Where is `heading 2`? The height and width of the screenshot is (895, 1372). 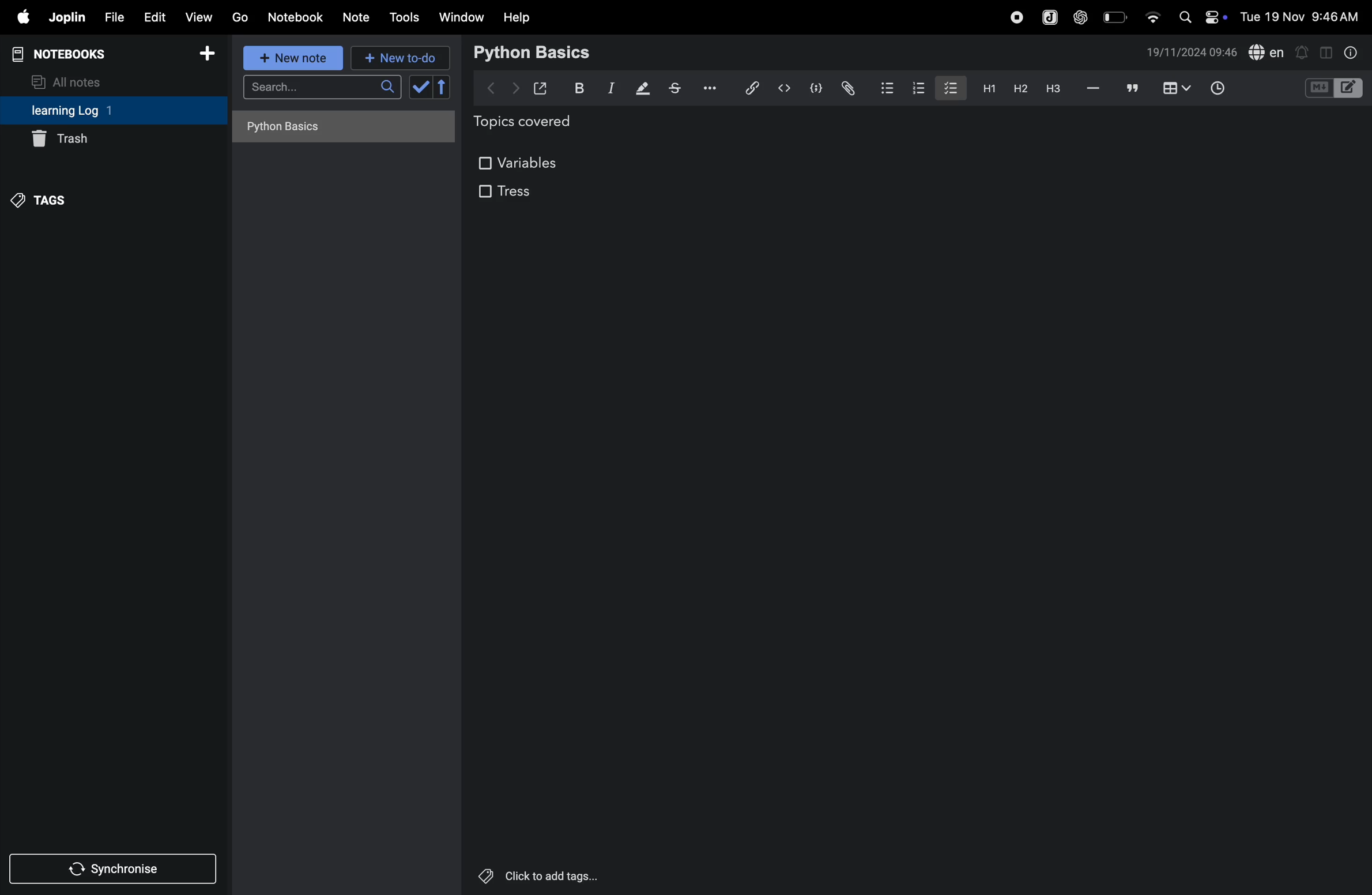
heading 2 is located at coordinates (1020, 88).